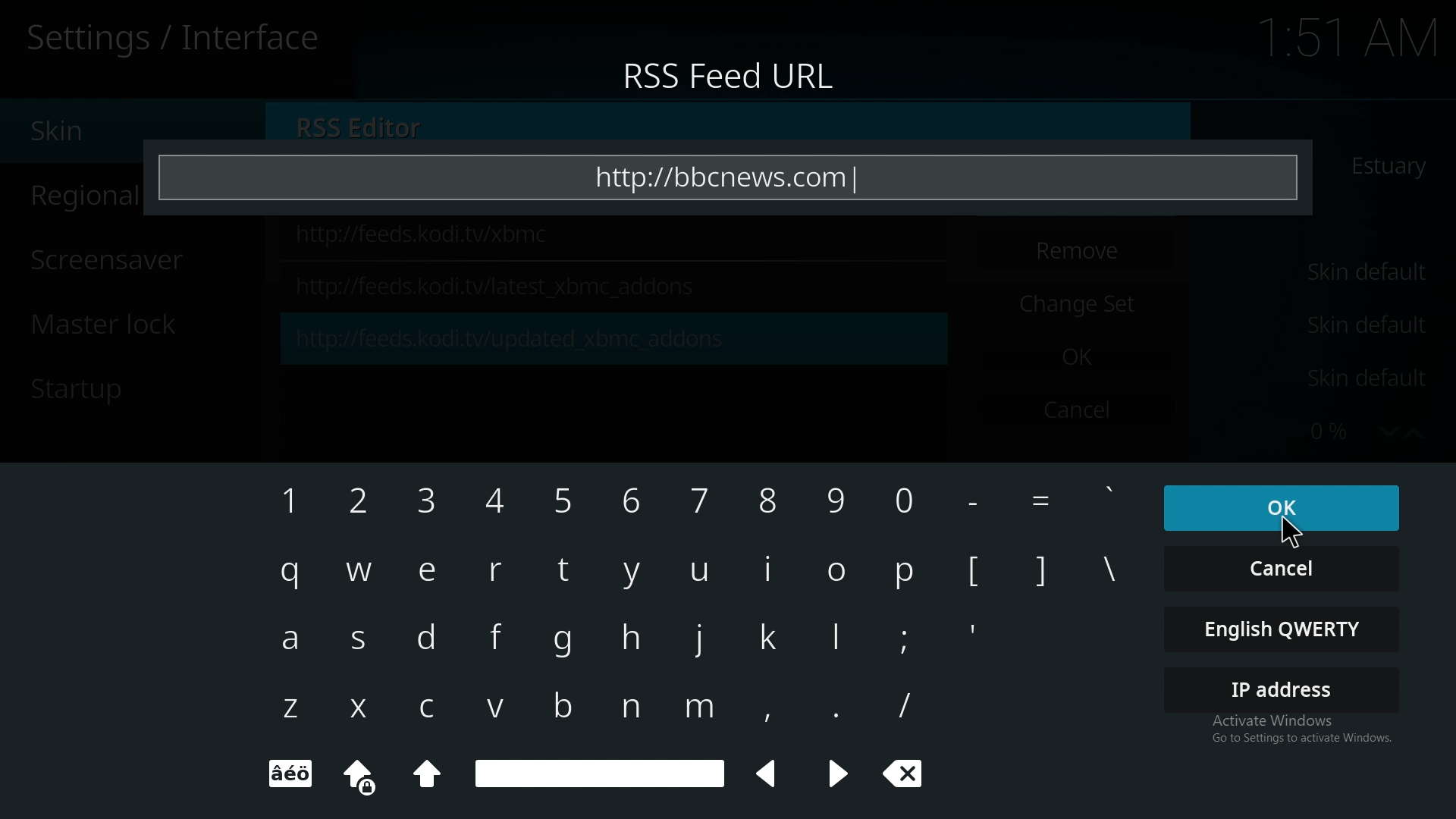 This screenshot has height=819, width=1456. I want to click on english qwerty, so click(1283, 634).